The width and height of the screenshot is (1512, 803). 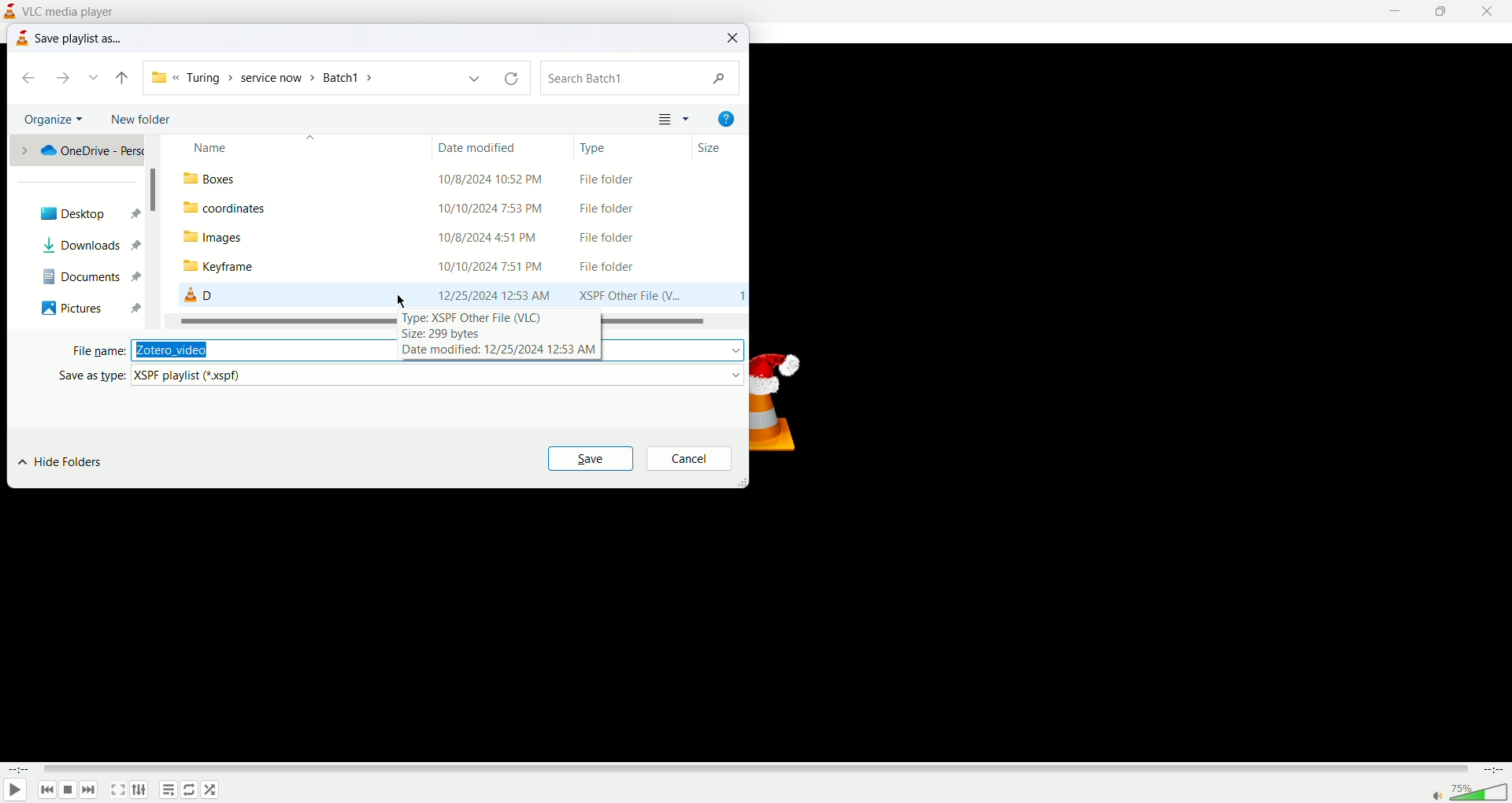 I want to click on previous, so click(x=24, y=80).